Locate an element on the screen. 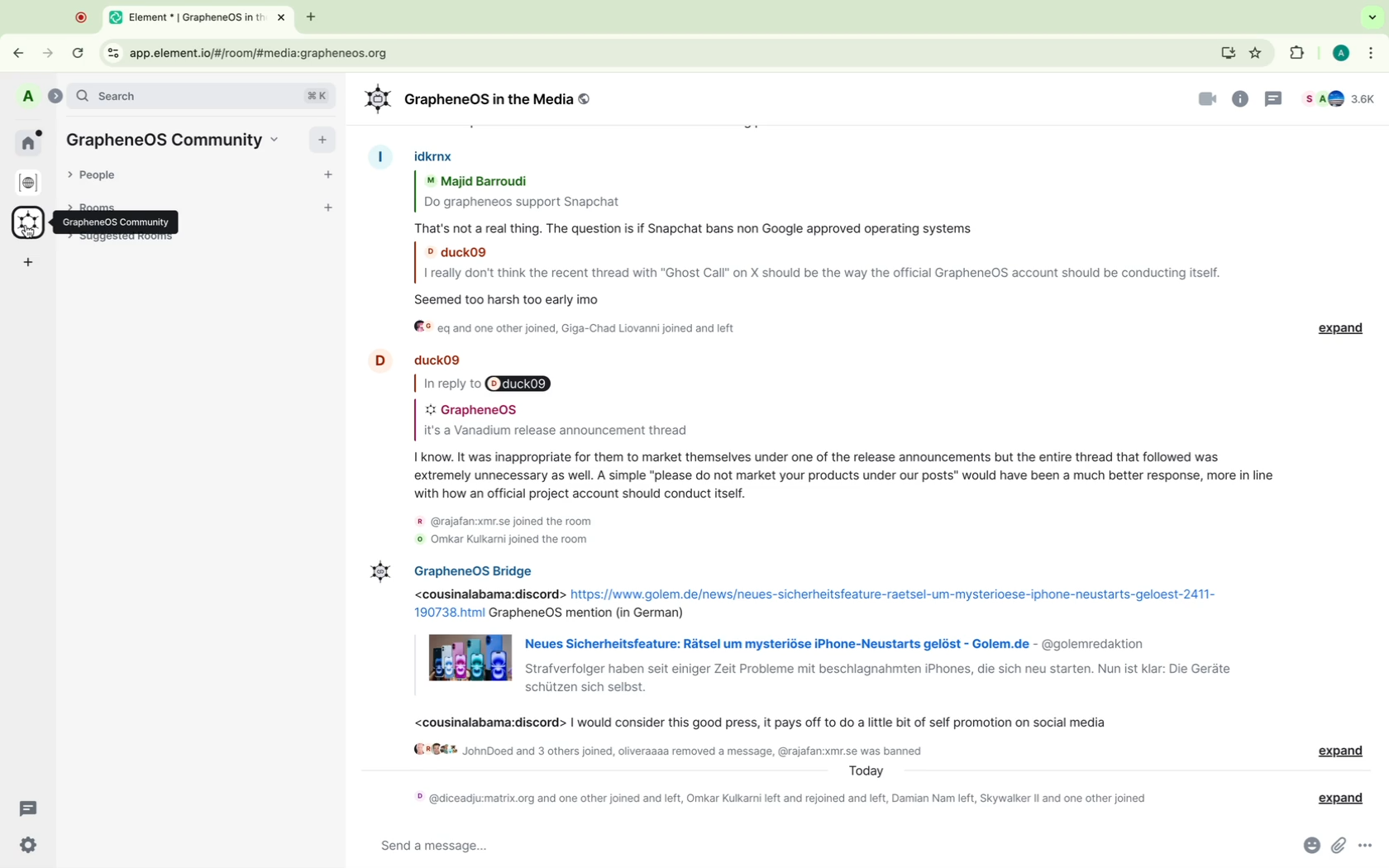  Element*|GrapheneOS in the is located at coordinates (184, 18).